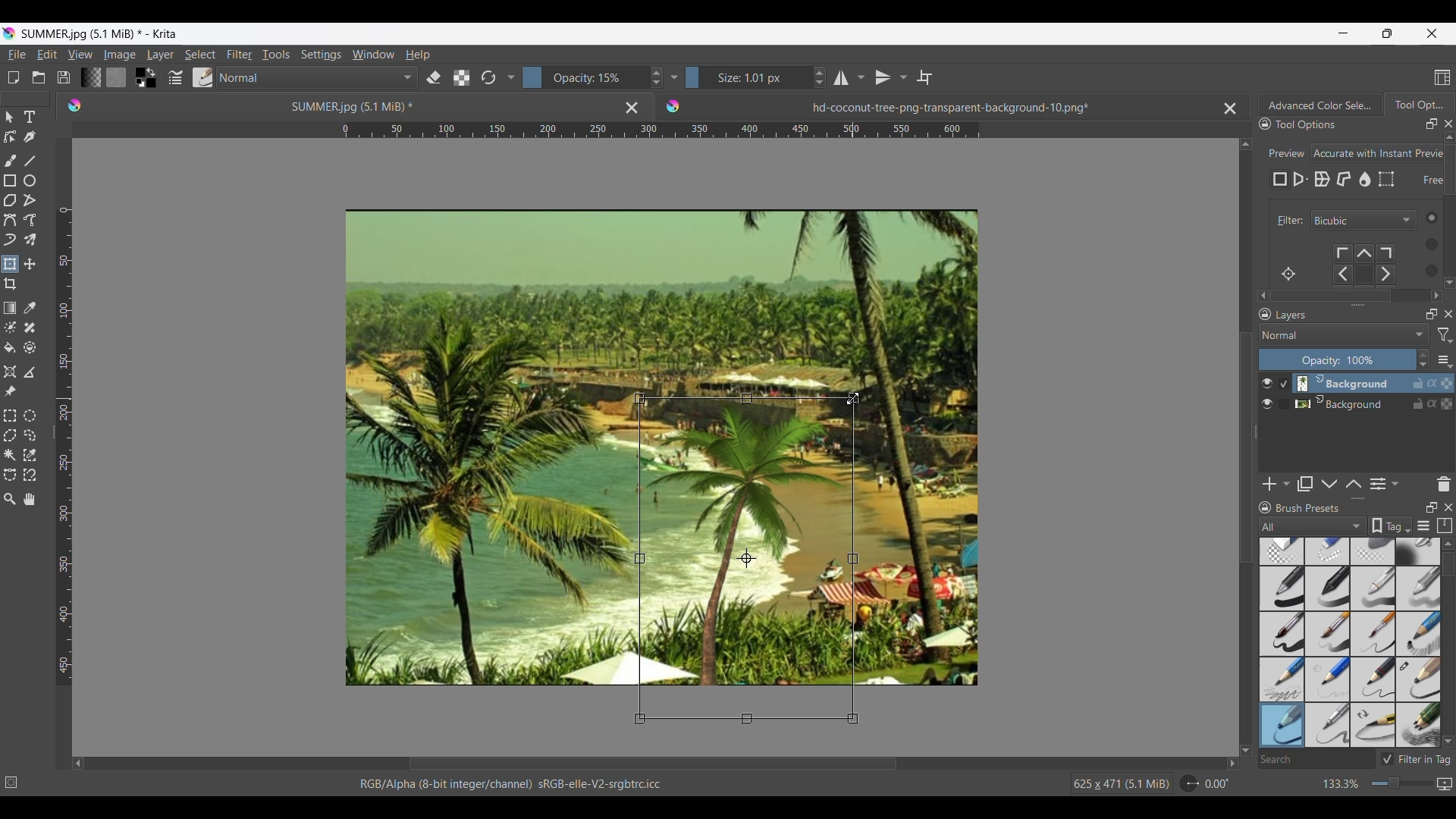  Describe the element at coordinates (174, 78) in the screenshot. I see `Edit brush settings` at that location.